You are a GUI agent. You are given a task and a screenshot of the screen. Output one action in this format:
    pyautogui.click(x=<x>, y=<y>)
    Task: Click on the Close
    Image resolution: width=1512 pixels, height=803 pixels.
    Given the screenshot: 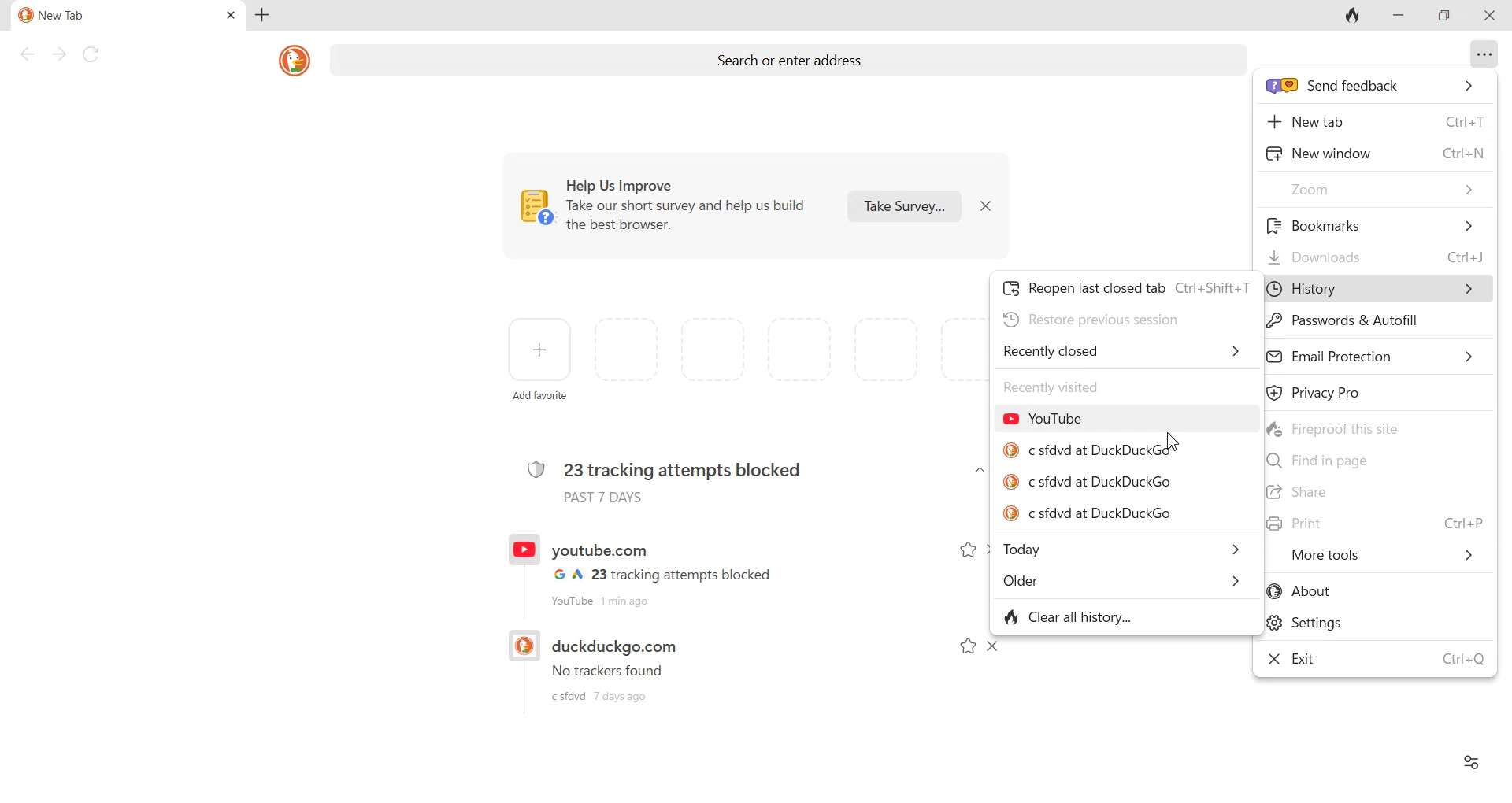 What is the action you would take?
    pyautogui.click(x=1487, y=16)
    